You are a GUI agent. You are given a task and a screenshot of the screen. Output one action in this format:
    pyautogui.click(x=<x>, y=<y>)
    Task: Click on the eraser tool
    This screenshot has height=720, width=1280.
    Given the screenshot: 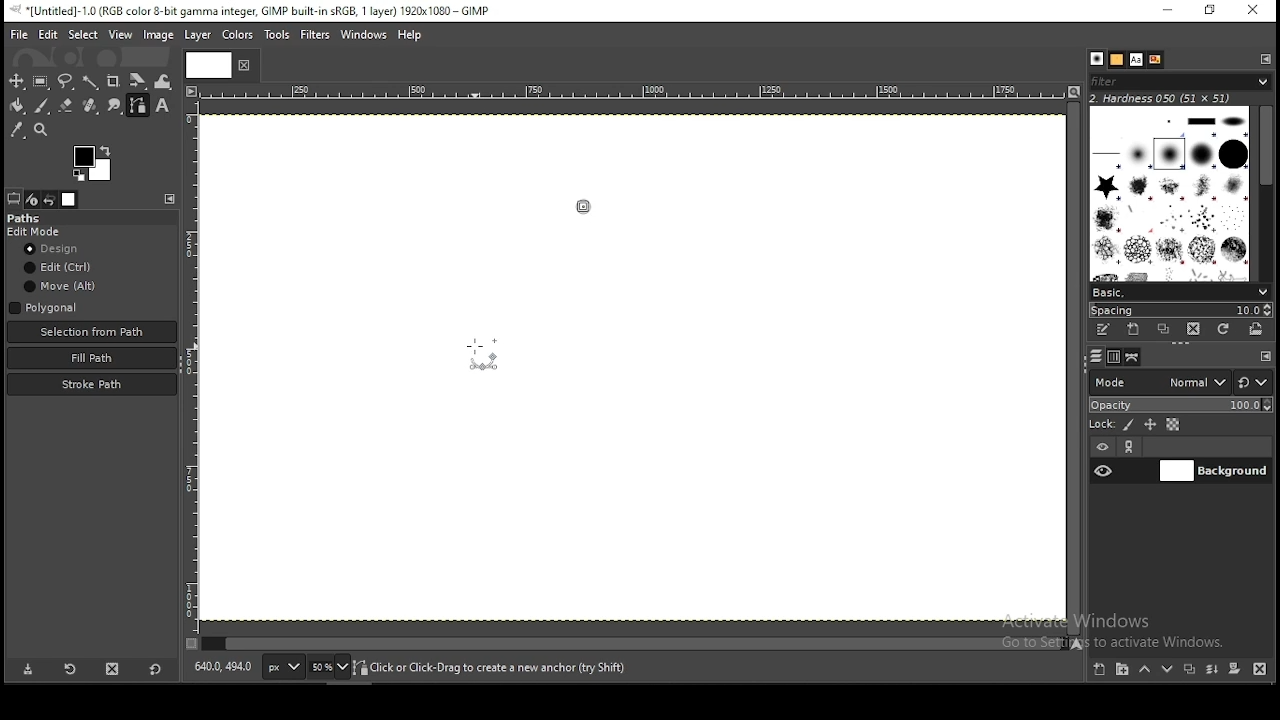 What is the action you would take?
    pyautogui.click(x=66, y=108)
    